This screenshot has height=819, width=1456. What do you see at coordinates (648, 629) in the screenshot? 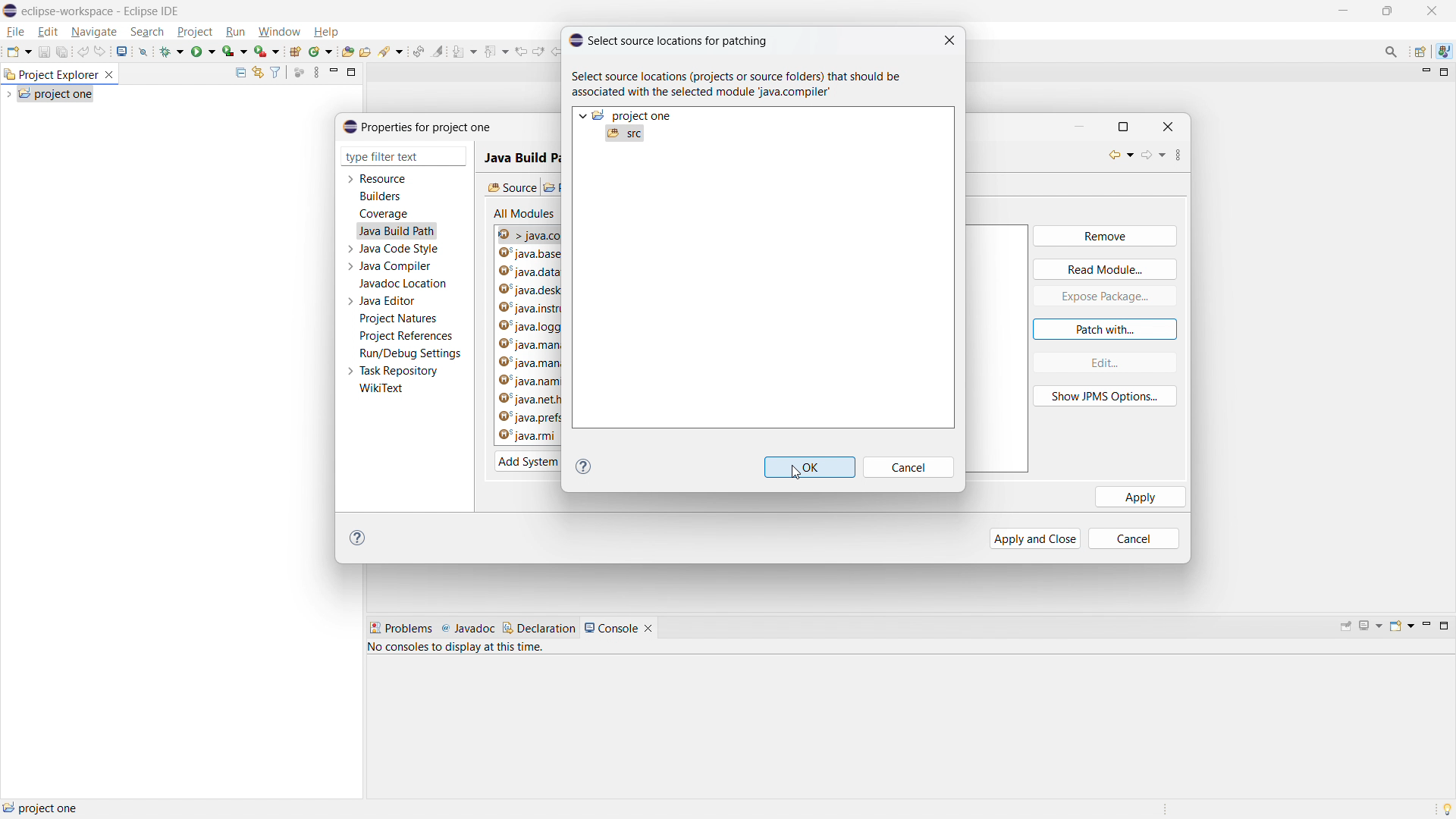
I see `close console` at bounding box center [648, 629].